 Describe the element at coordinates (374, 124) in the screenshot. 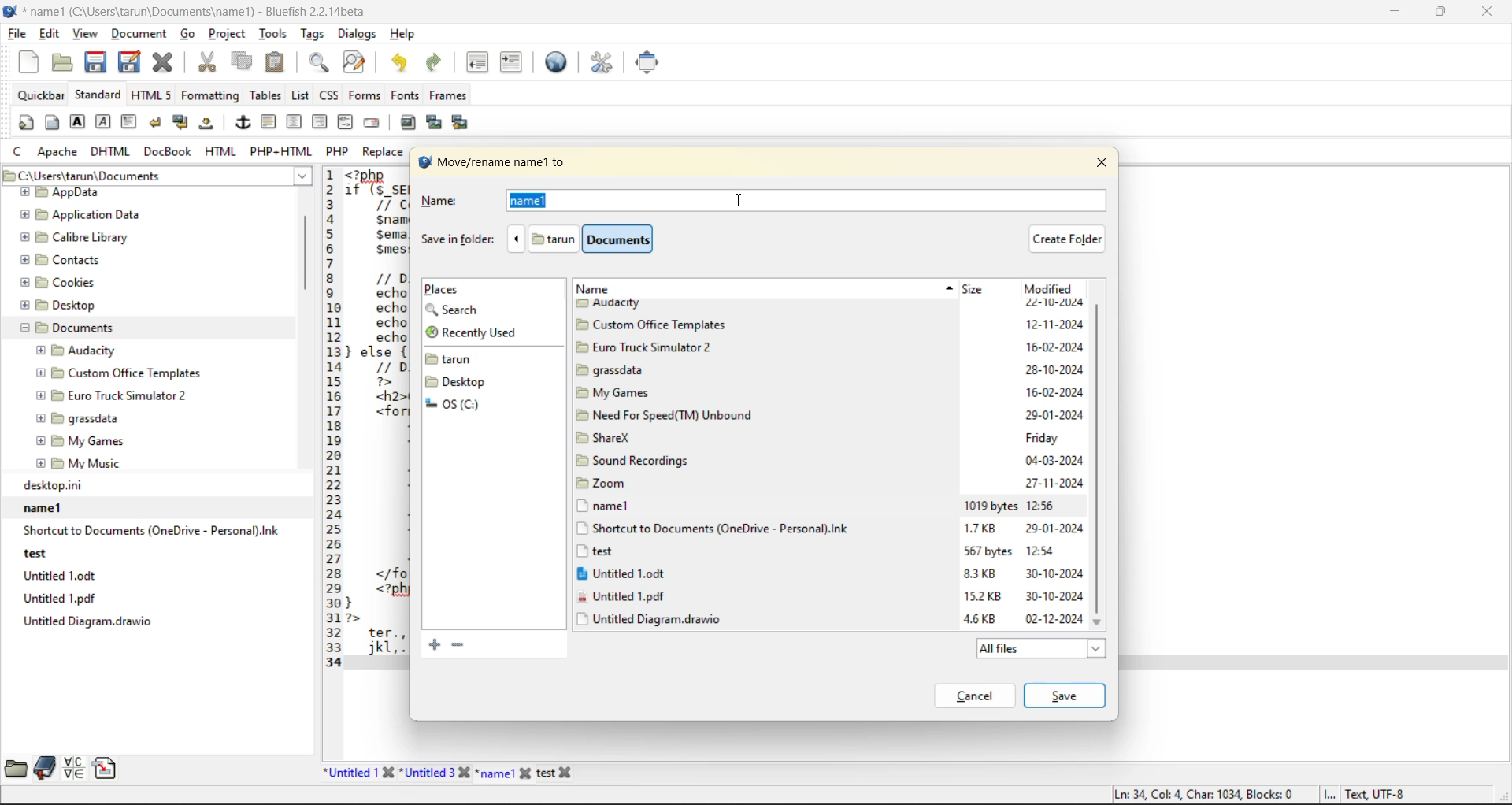

I see `email` at that location.